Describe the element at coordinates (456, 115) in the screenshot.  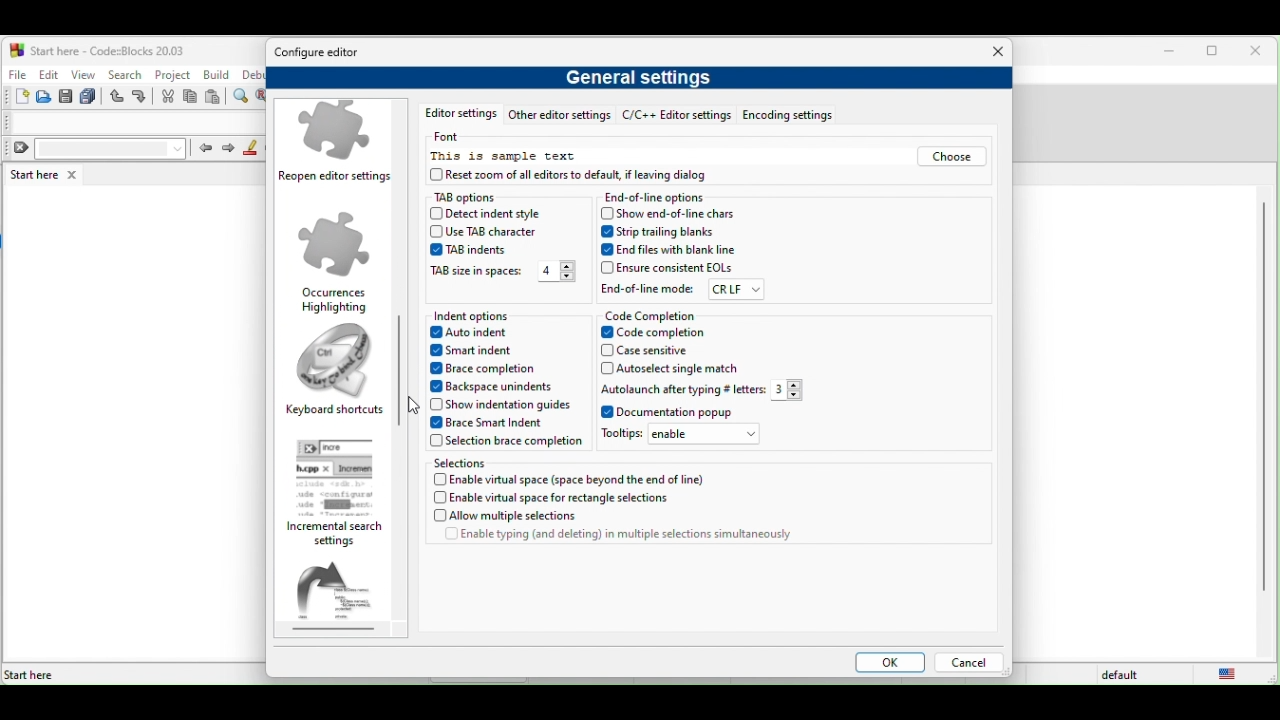
I see `editor setting` at that location.